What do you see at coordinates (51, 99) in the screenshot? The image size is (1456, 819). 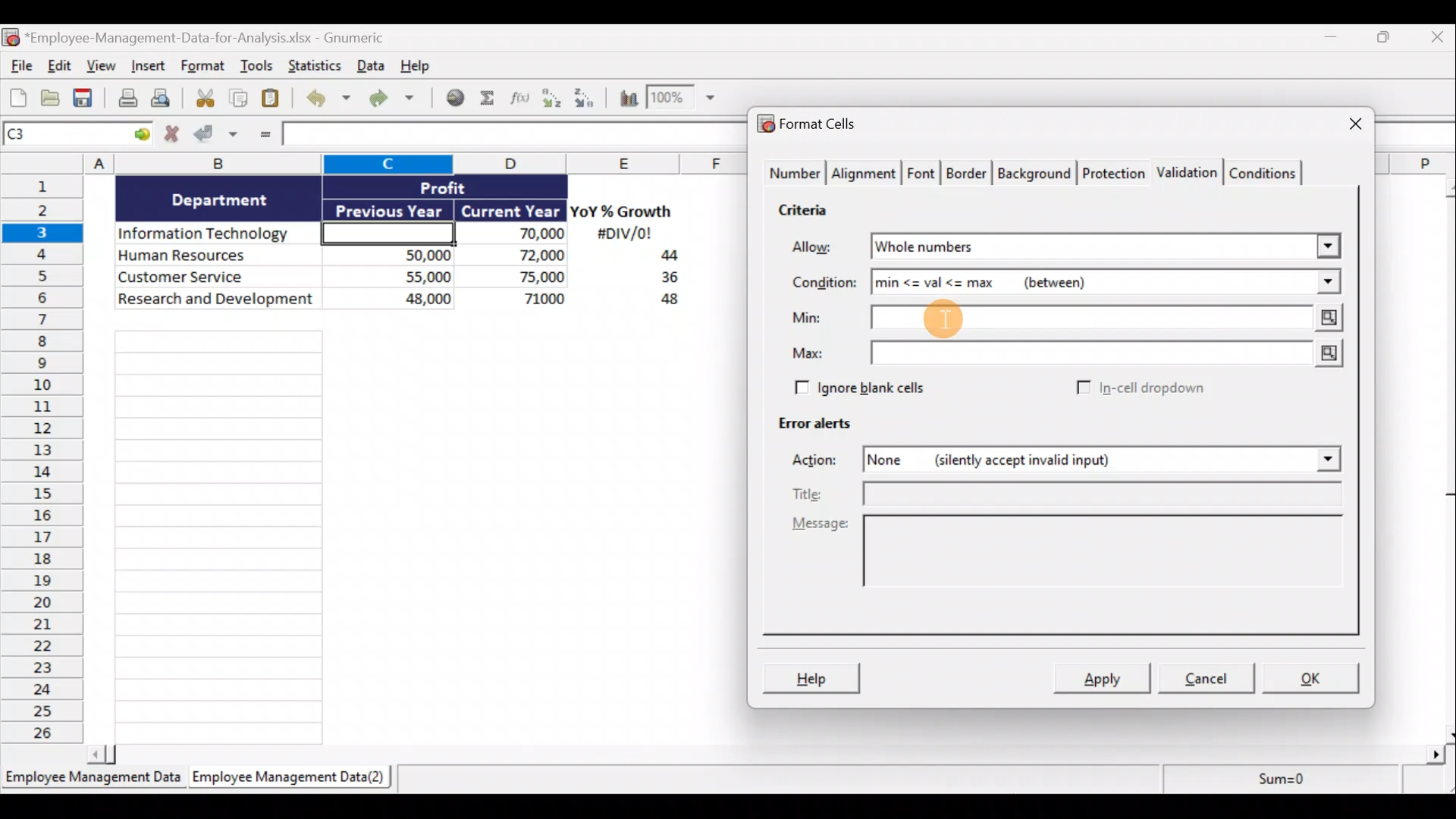 I see `Open a file` at bounding box center [51, 99].